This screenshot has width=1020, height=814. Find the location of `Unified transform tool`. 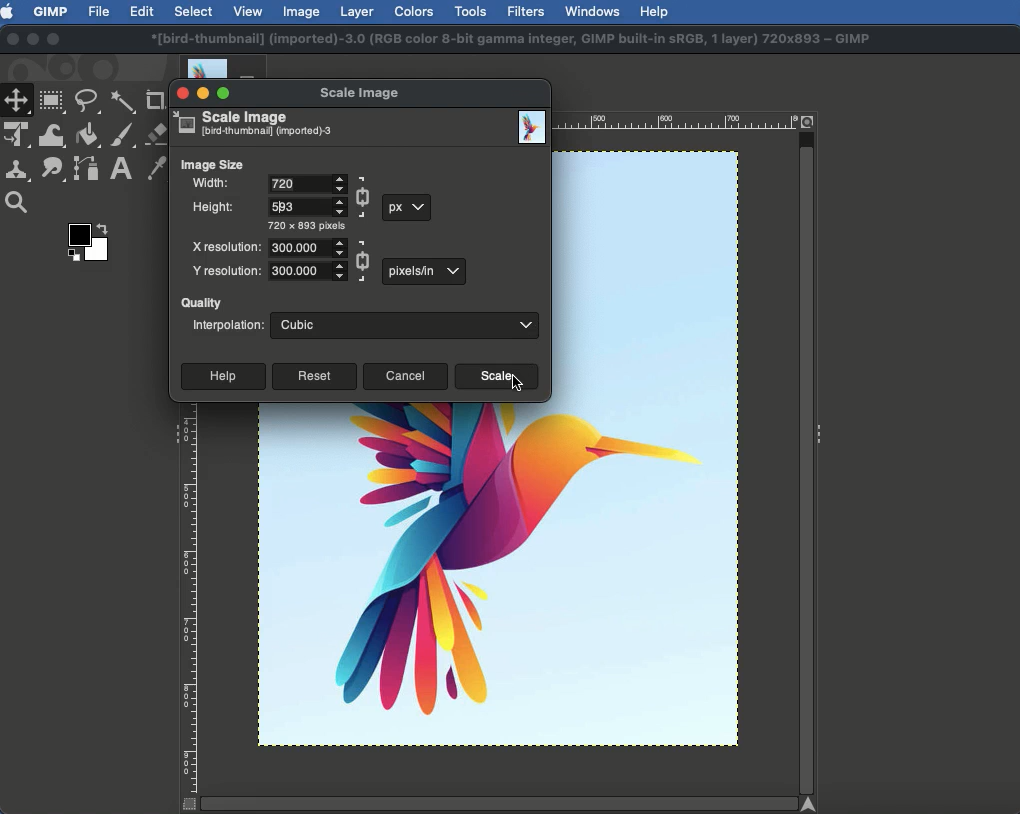

Unified transform tool is located at coordinates (17, 133).